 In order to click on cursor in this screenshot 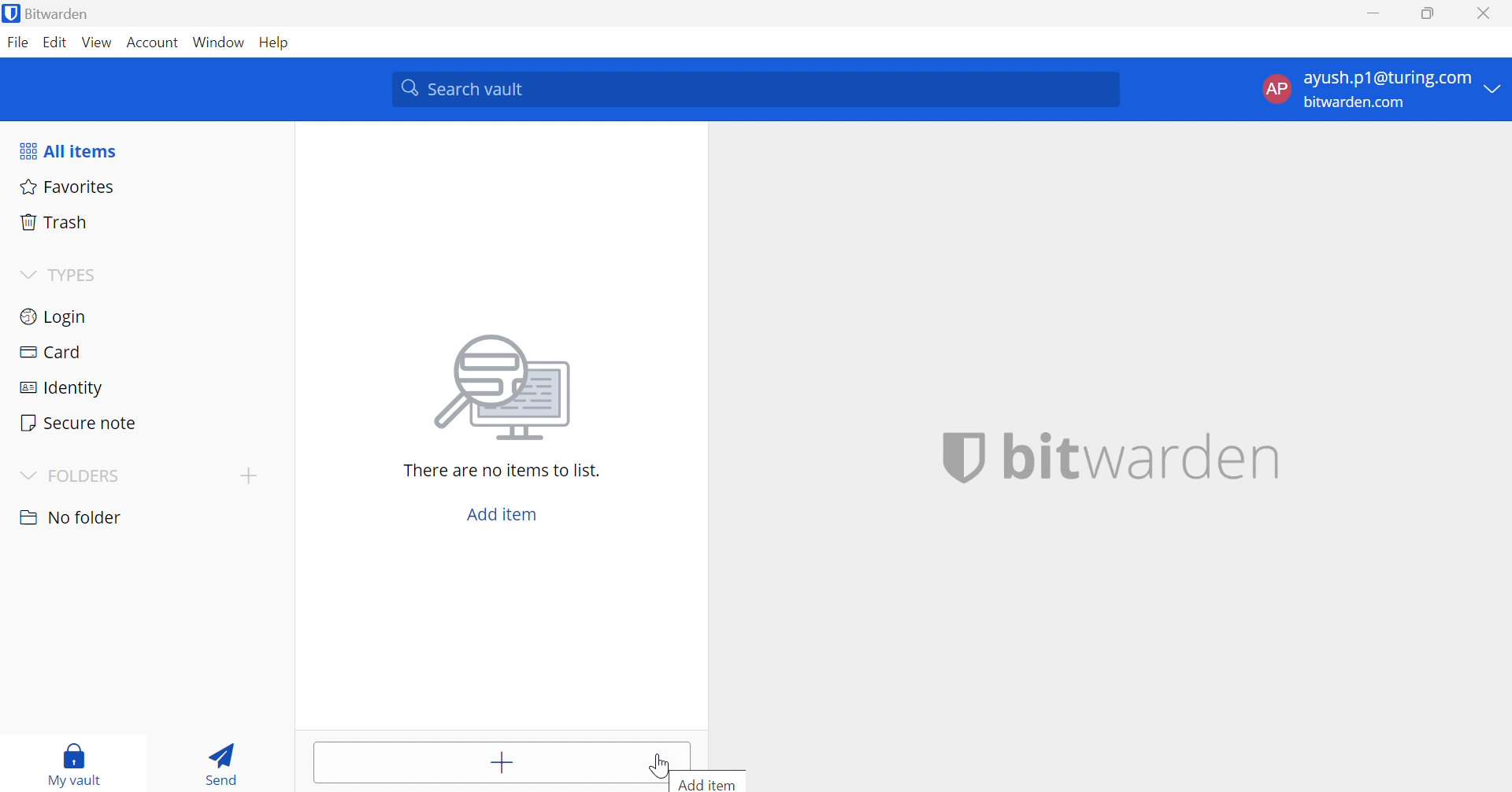, I will do `click(659, 765)`.